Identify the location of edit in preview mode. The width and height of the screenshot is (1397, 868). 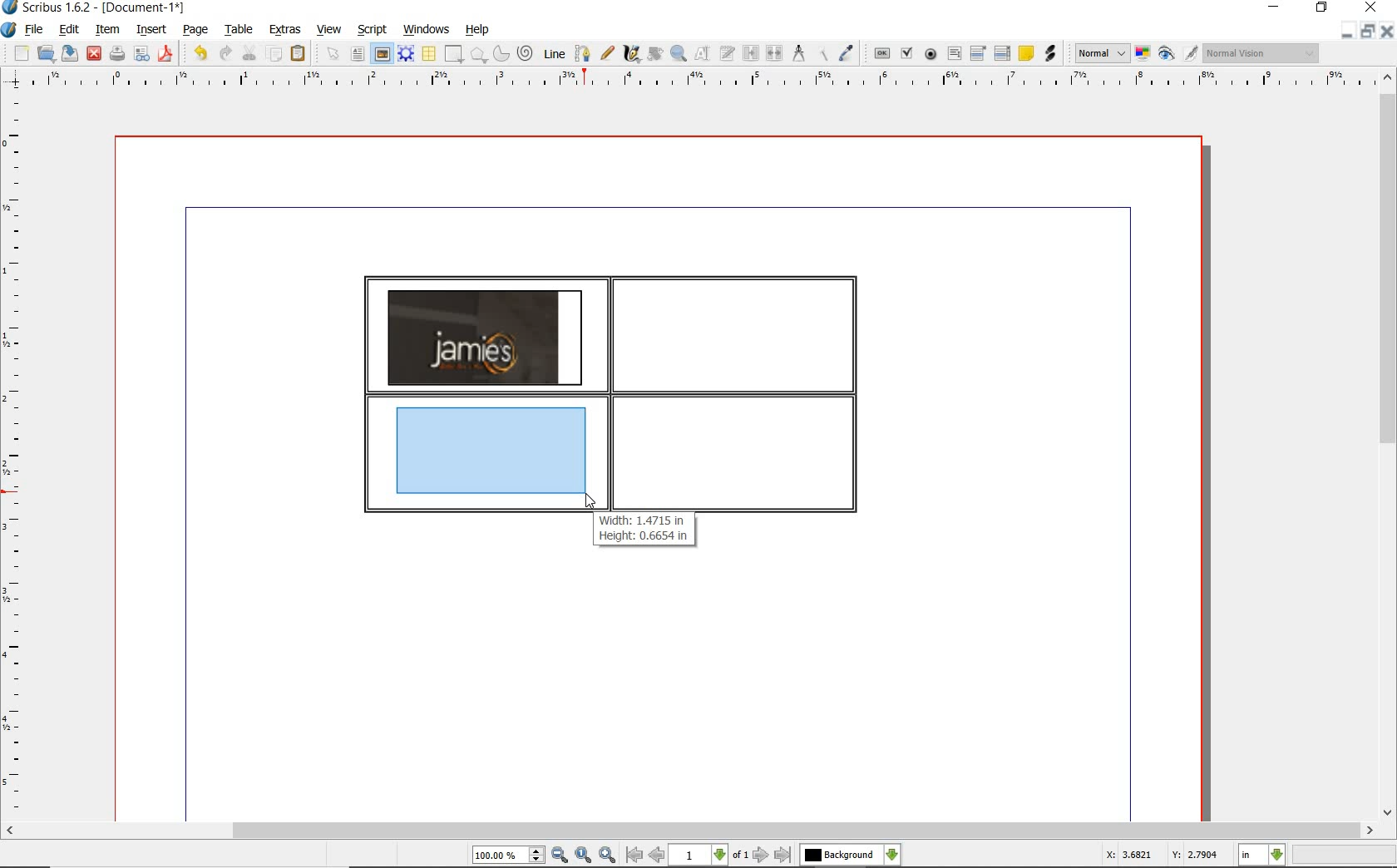
(1190, 54).